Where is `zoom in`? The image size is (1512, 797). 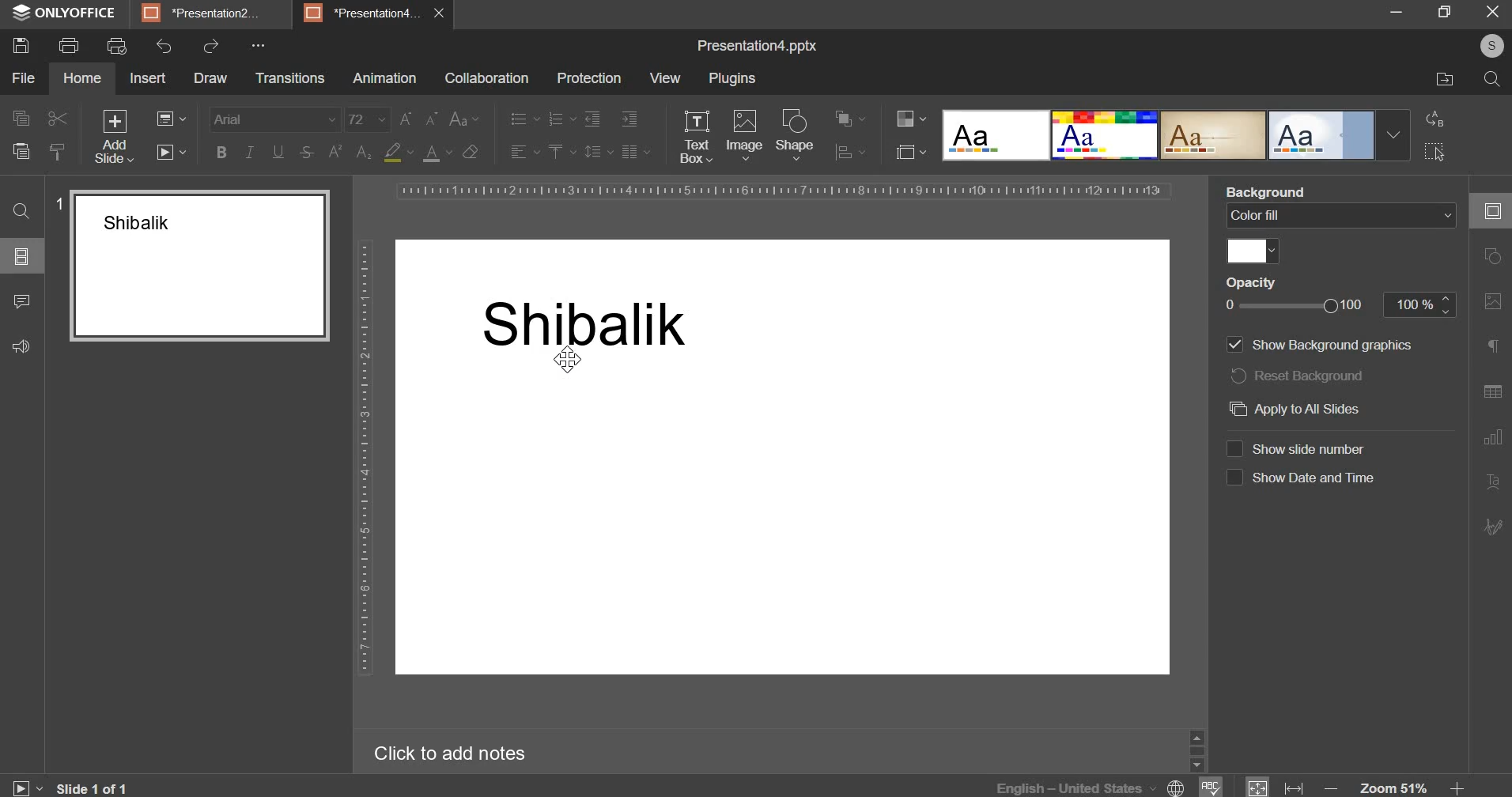 zoom in is located at coordinates (1453, 784).